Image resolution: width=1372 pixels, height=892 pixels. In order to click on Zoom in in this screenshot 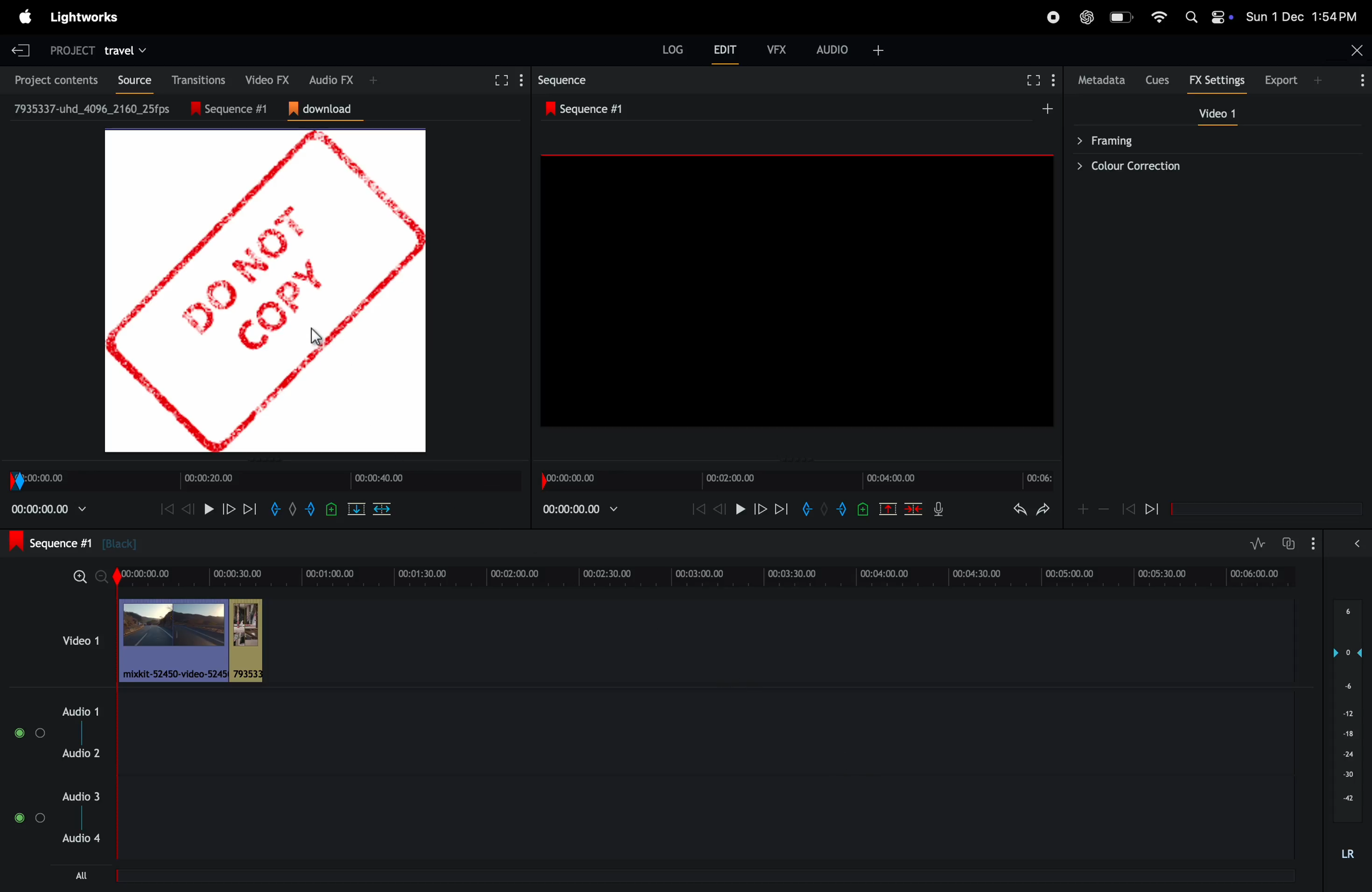, I will do `click(80, 577)`.